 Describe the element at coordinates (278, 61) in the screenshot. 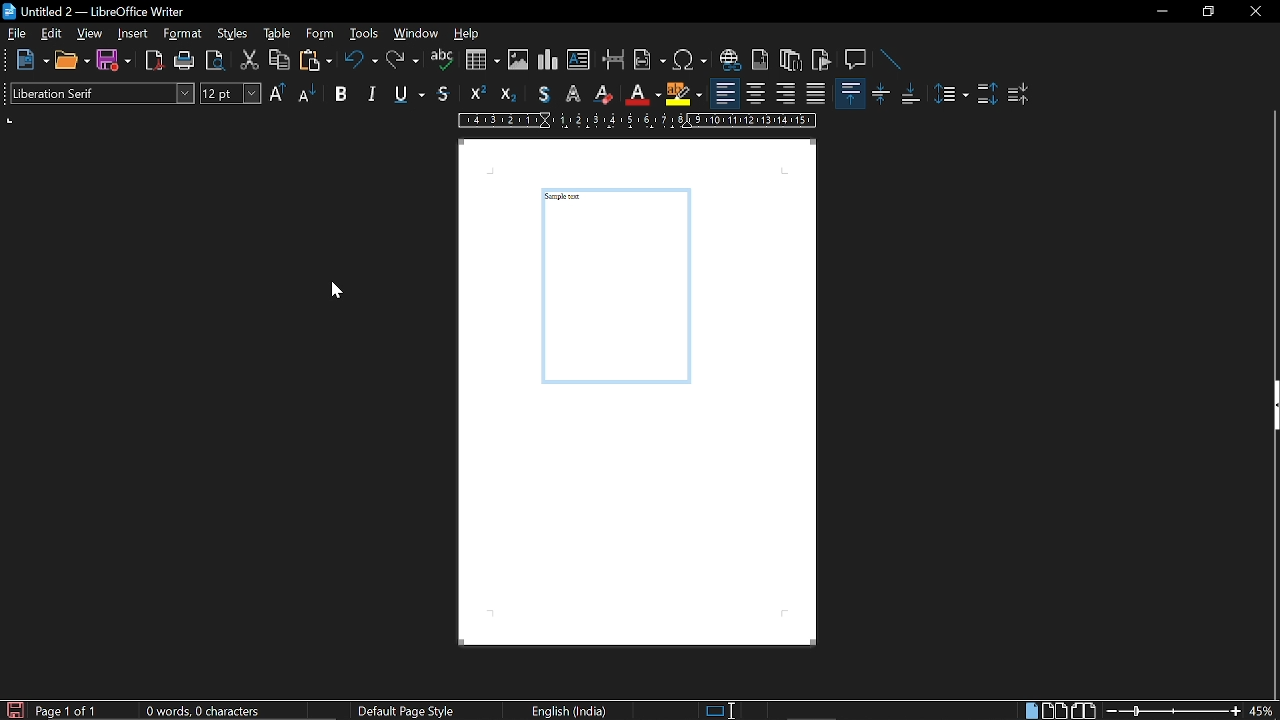

I see `copy` at that location.